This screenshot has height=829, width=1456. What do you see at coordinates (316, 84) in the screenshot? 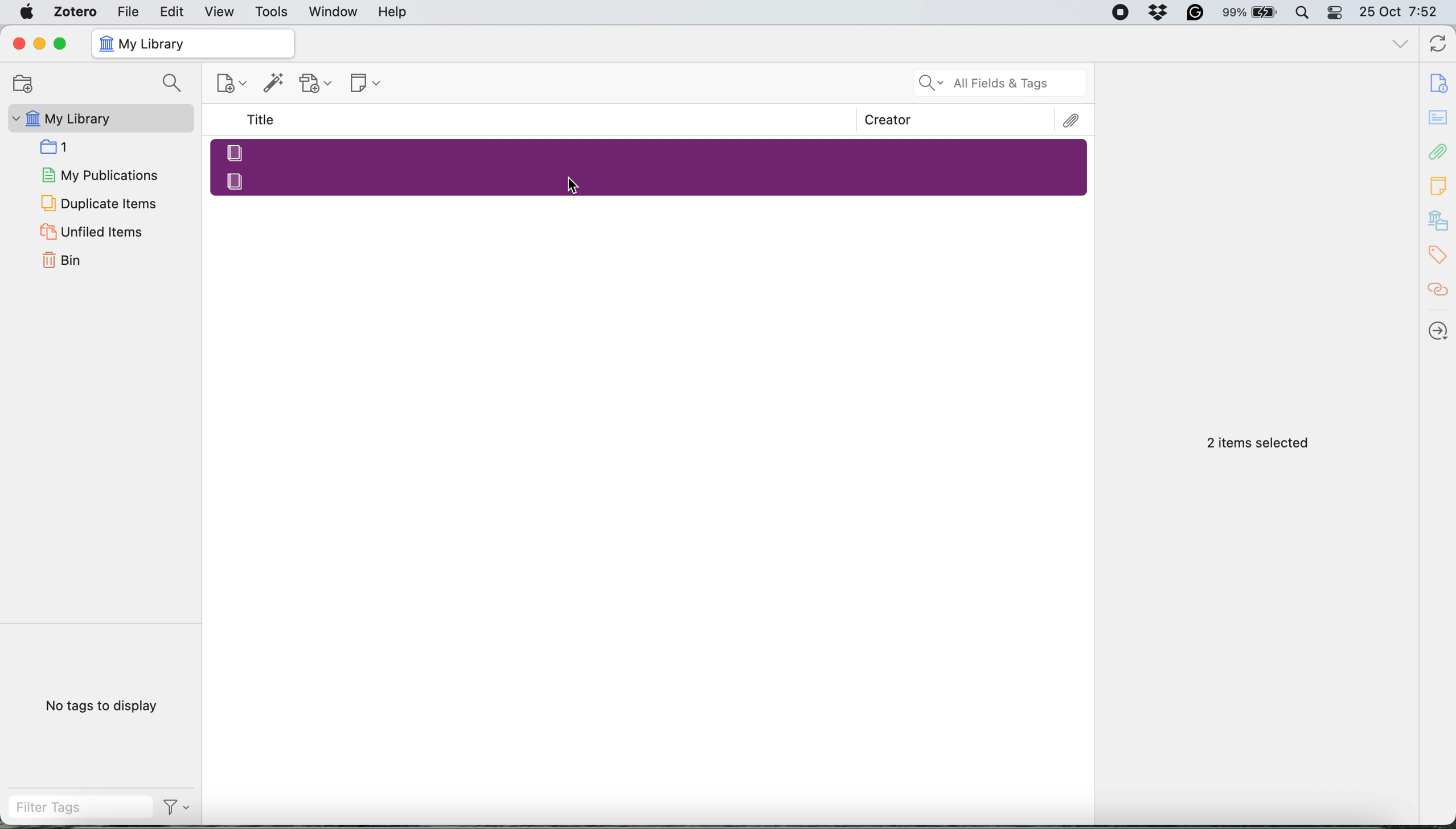
I see `Add Attachment` at bounding box center [316, 84].